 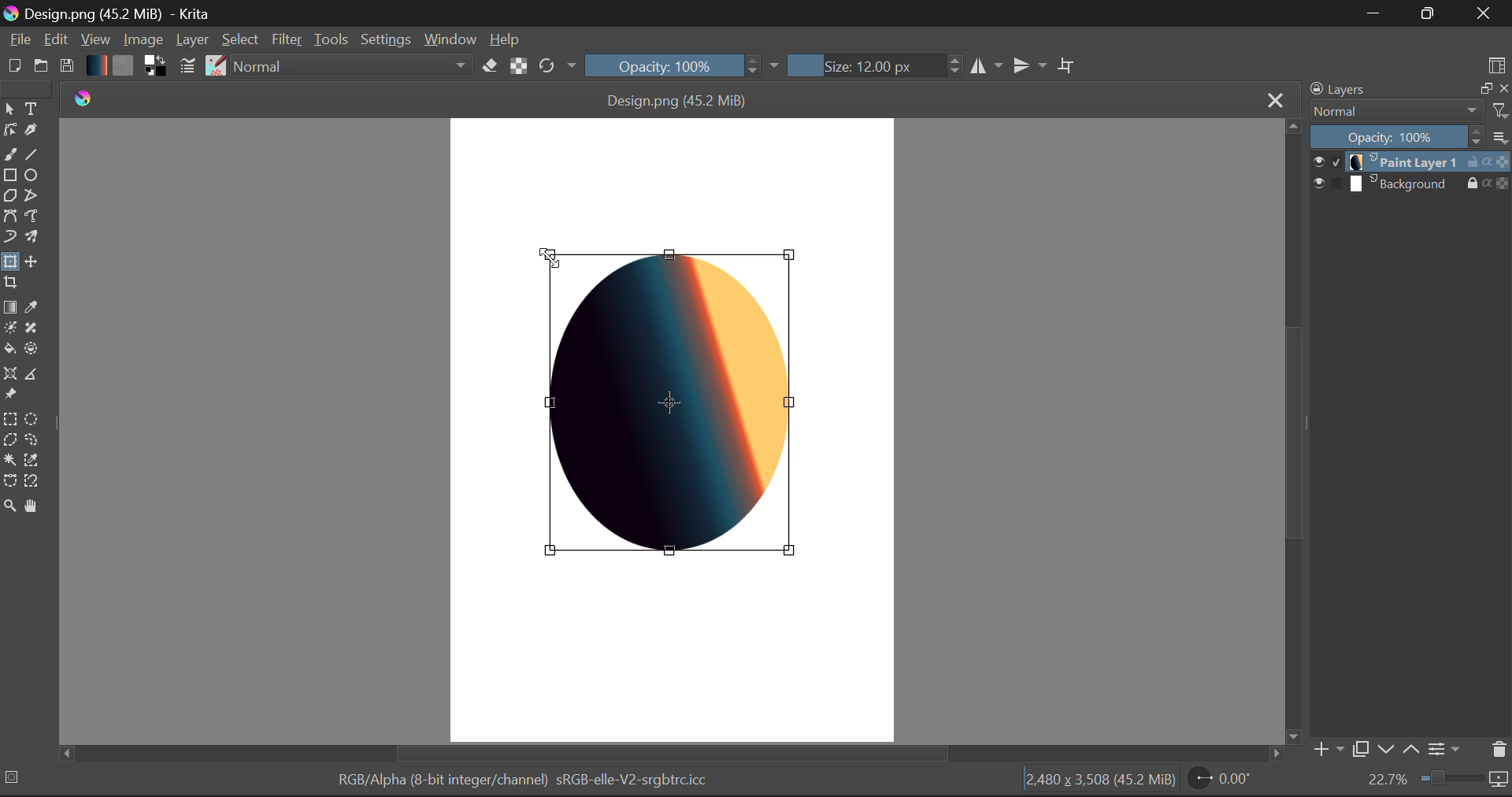 What do you see at coordinates (155, 67) in the screenshot?
I see `Colors in use` at bounding box center [155, 67].